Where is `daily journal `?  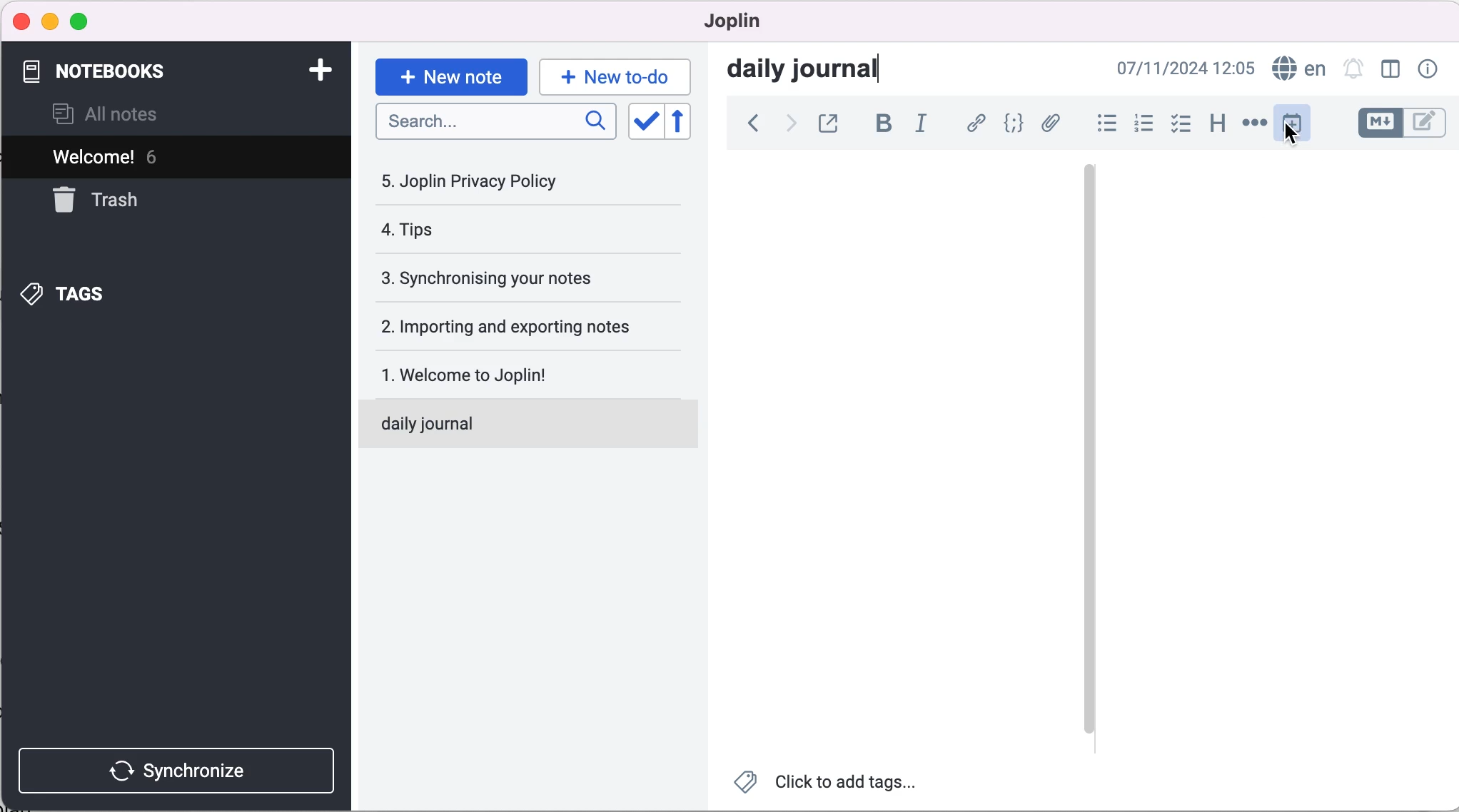 daily journal  is located at coordinates (505, 421).